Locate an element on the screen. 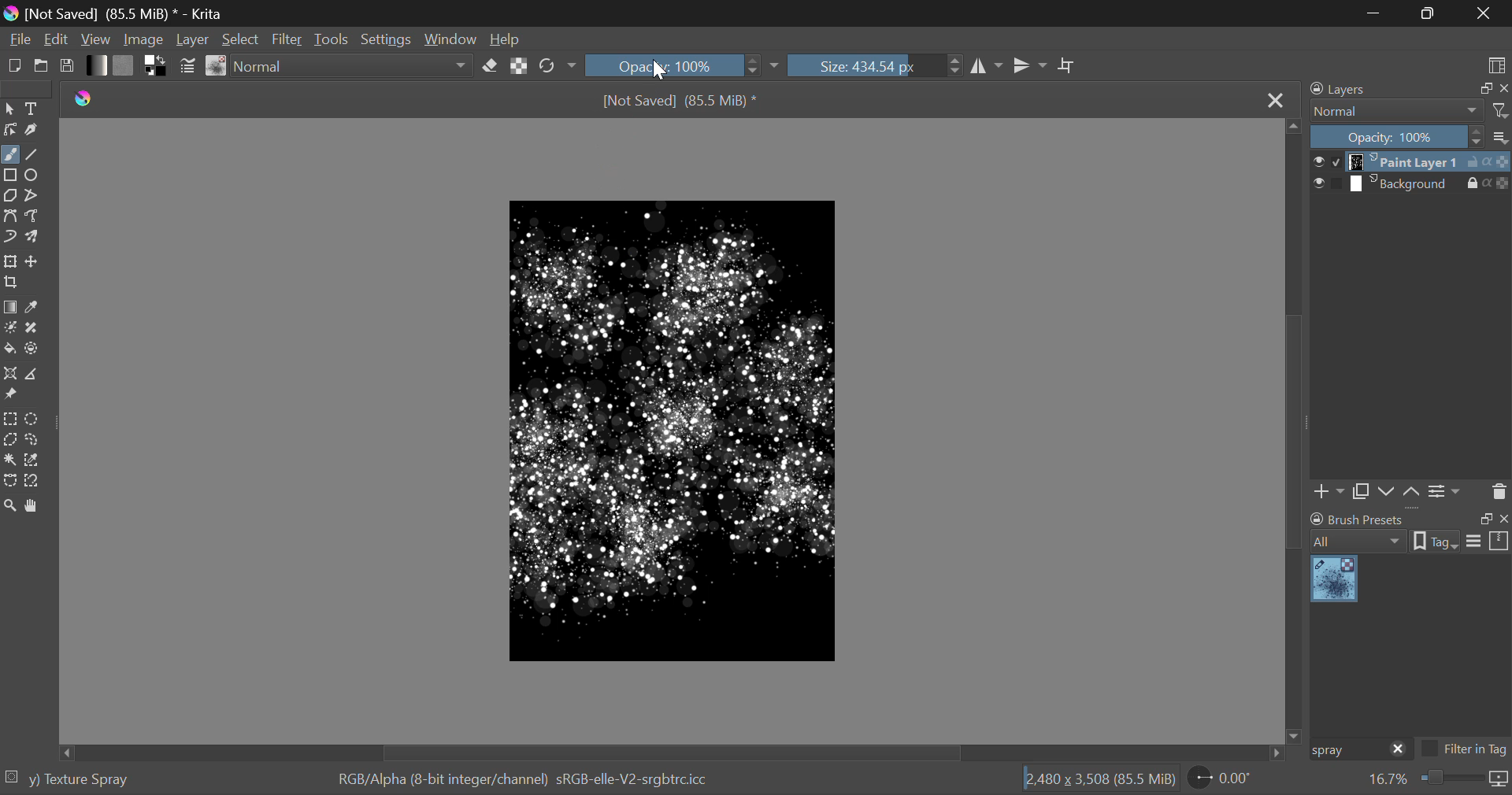 This screenshot has height=795, width=1512. Ellipses is located at coordinates (34, 176).